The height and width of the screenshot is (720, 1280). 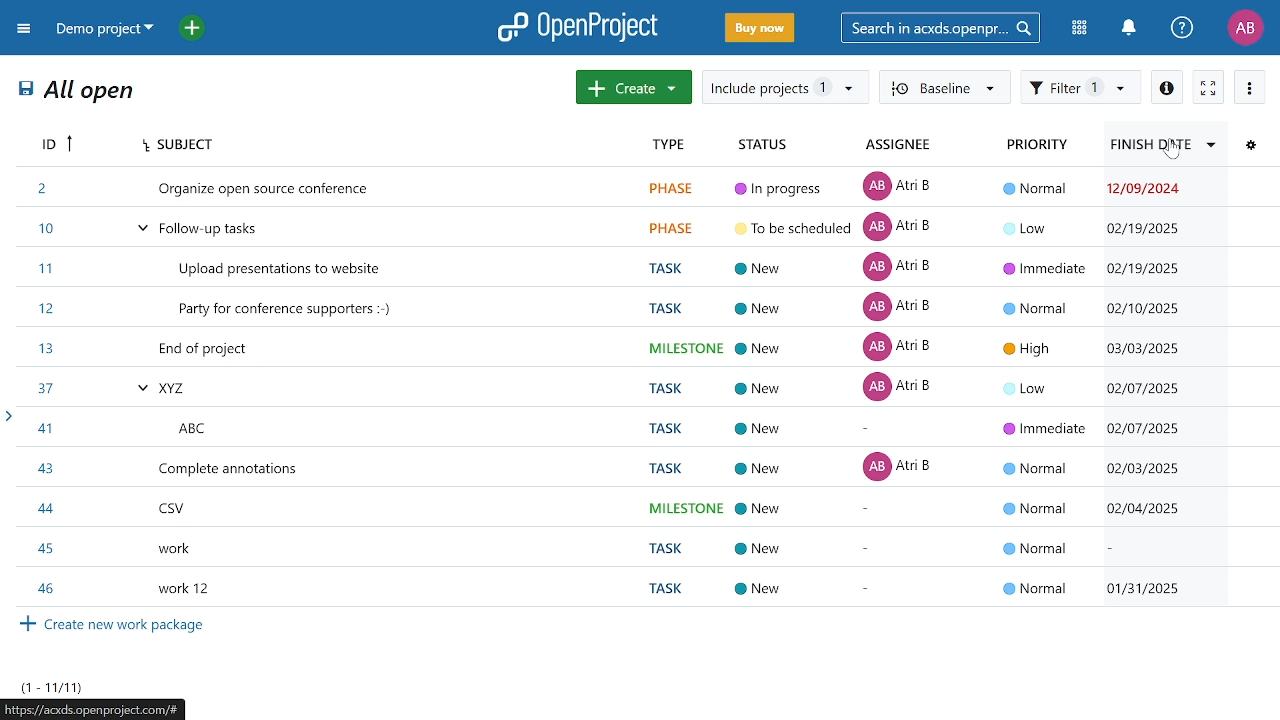 I want to click on task titled complete annotations", so click(x=650, y=465).